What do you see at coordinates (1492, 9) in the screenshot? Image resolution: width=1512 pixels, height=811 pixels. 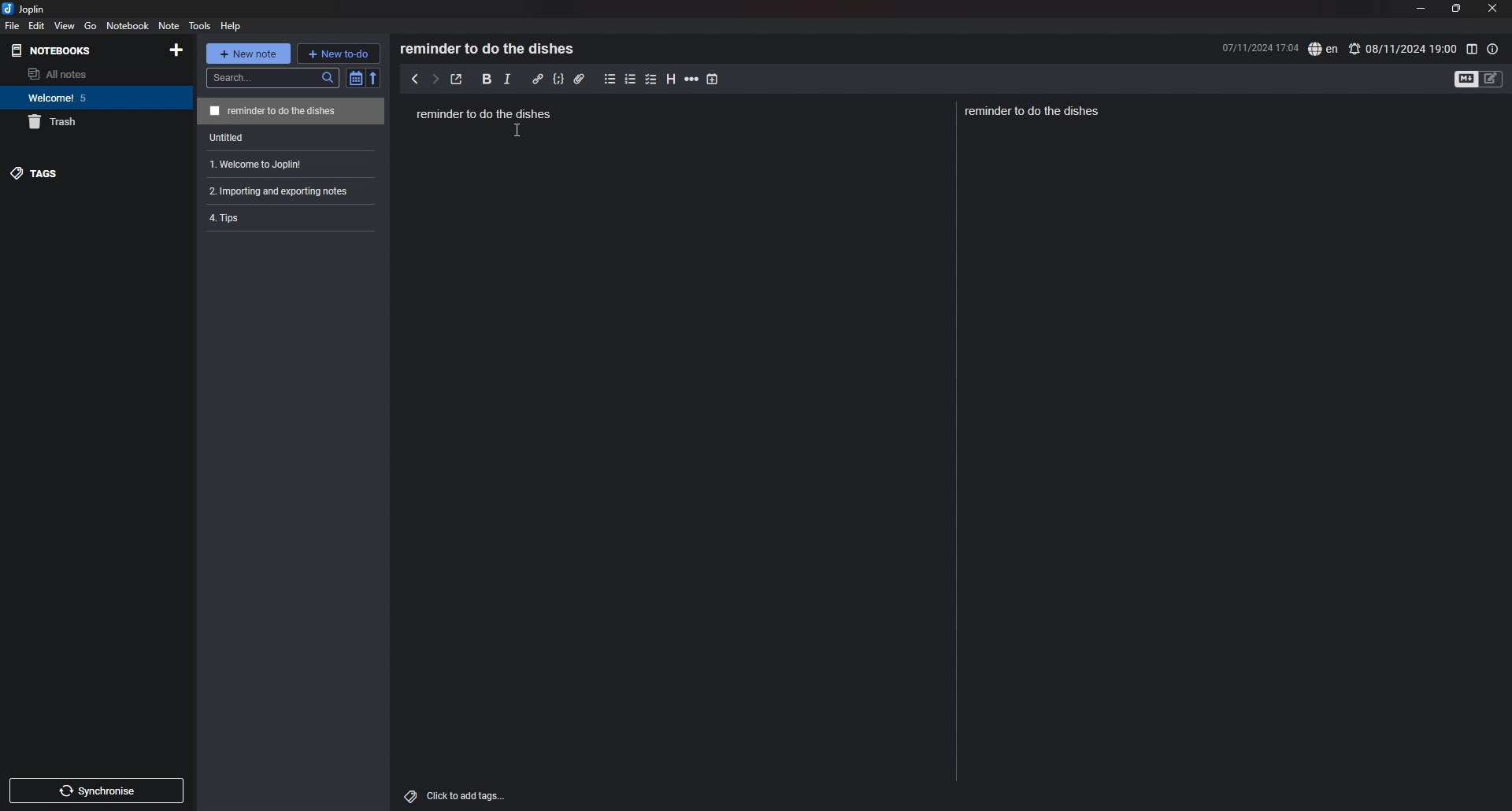 I see `close` at bounding box center [1492, 9].